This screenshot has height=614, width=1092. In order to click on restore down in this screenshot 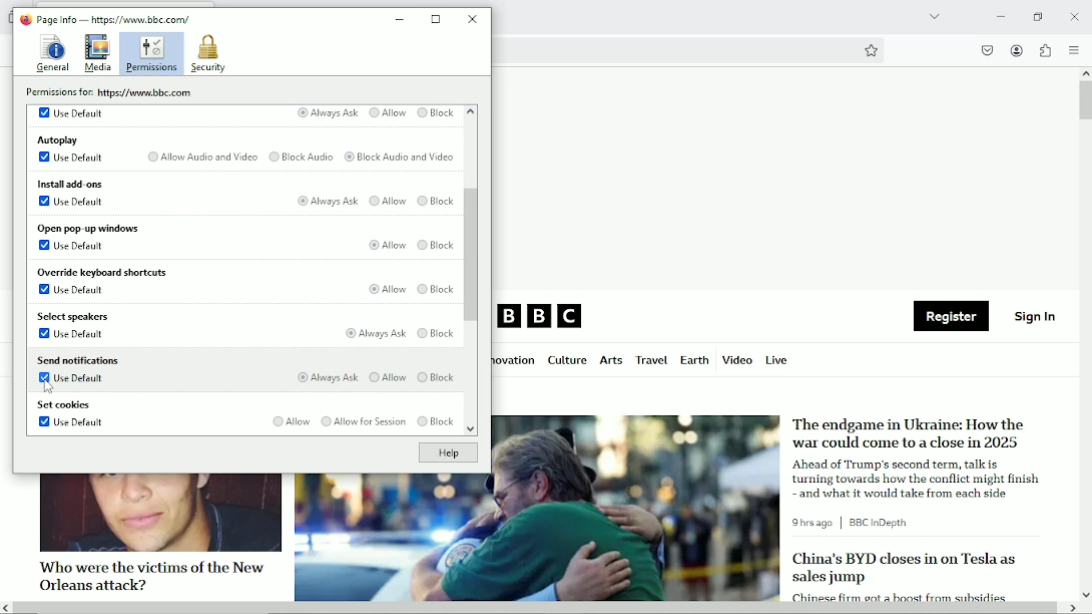, I will do `click(1039, 16)`.